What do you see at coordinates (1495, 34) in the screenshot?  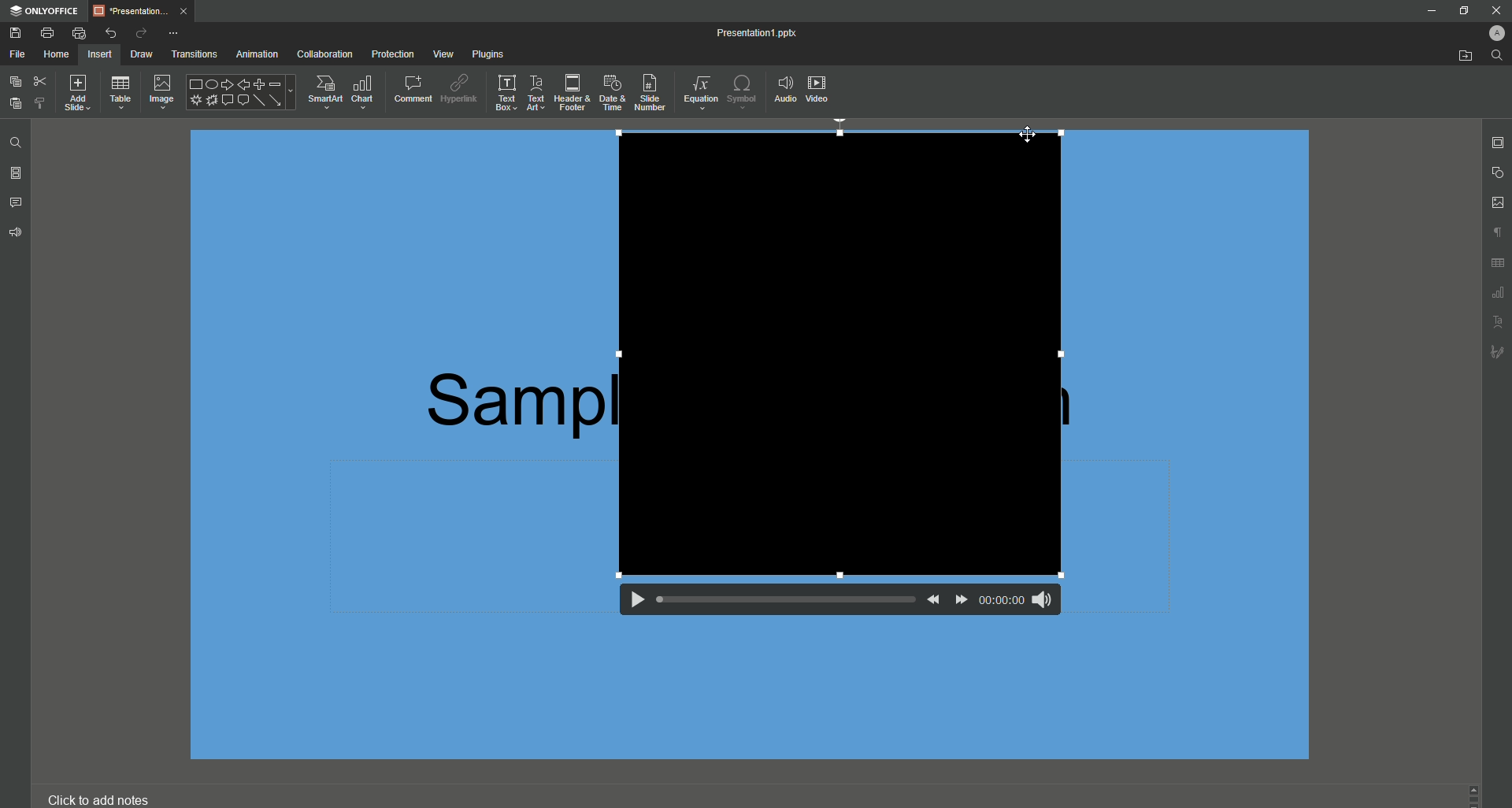 I see `Profile` at bounding box center [1495, 34].